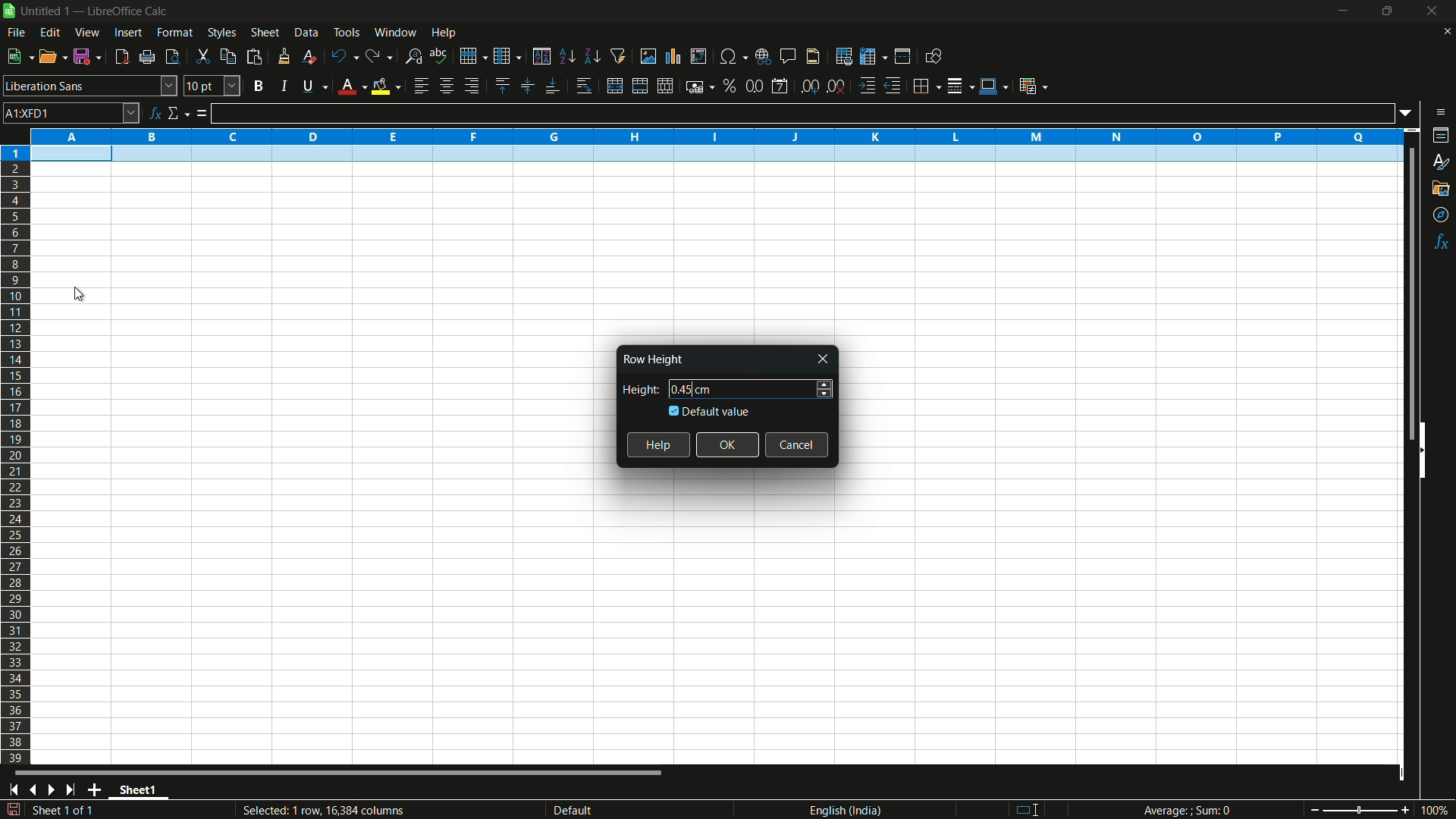 This screenshot has width=1456, height=819. What do you see at coordinates (812, 87) in the screenshot?
I see `add decimal place` at bounding box center [812, 87].